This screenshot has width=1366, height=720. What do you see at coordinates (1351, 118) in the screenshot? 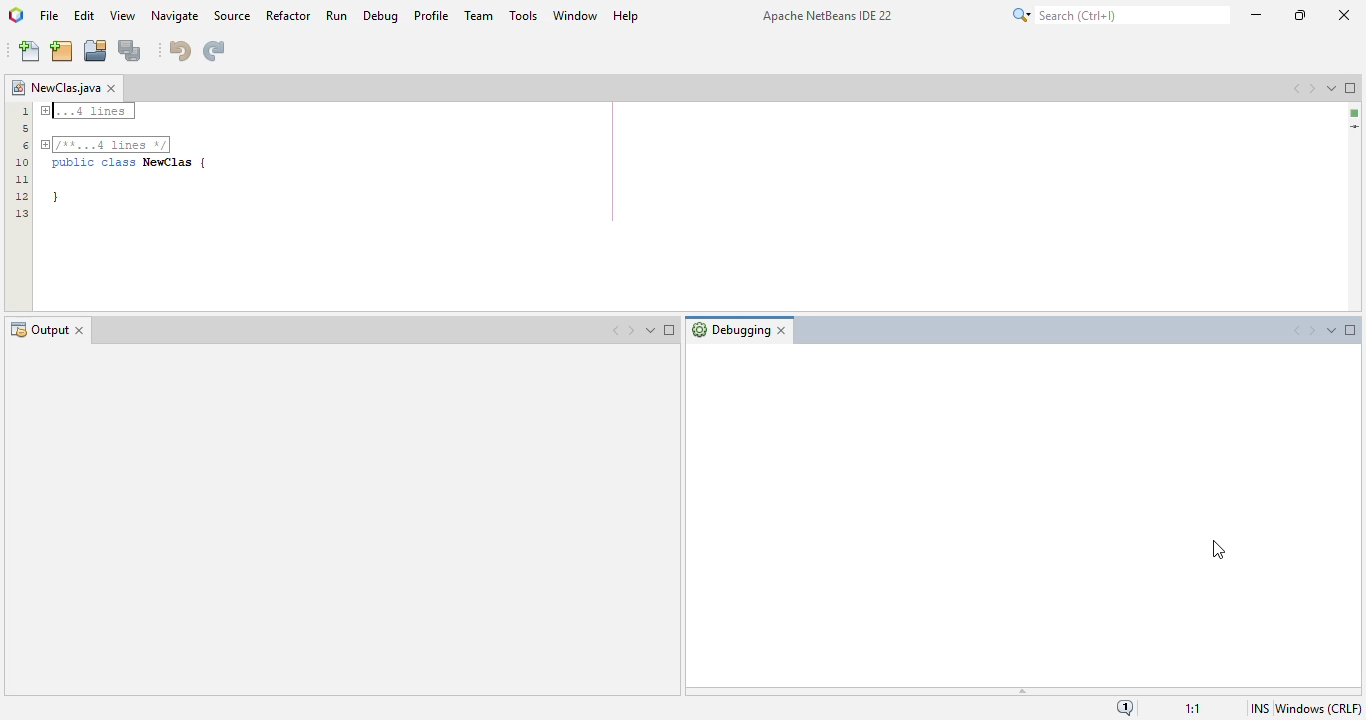
I see `Scrollbar` at bounding box center [1351, 118].